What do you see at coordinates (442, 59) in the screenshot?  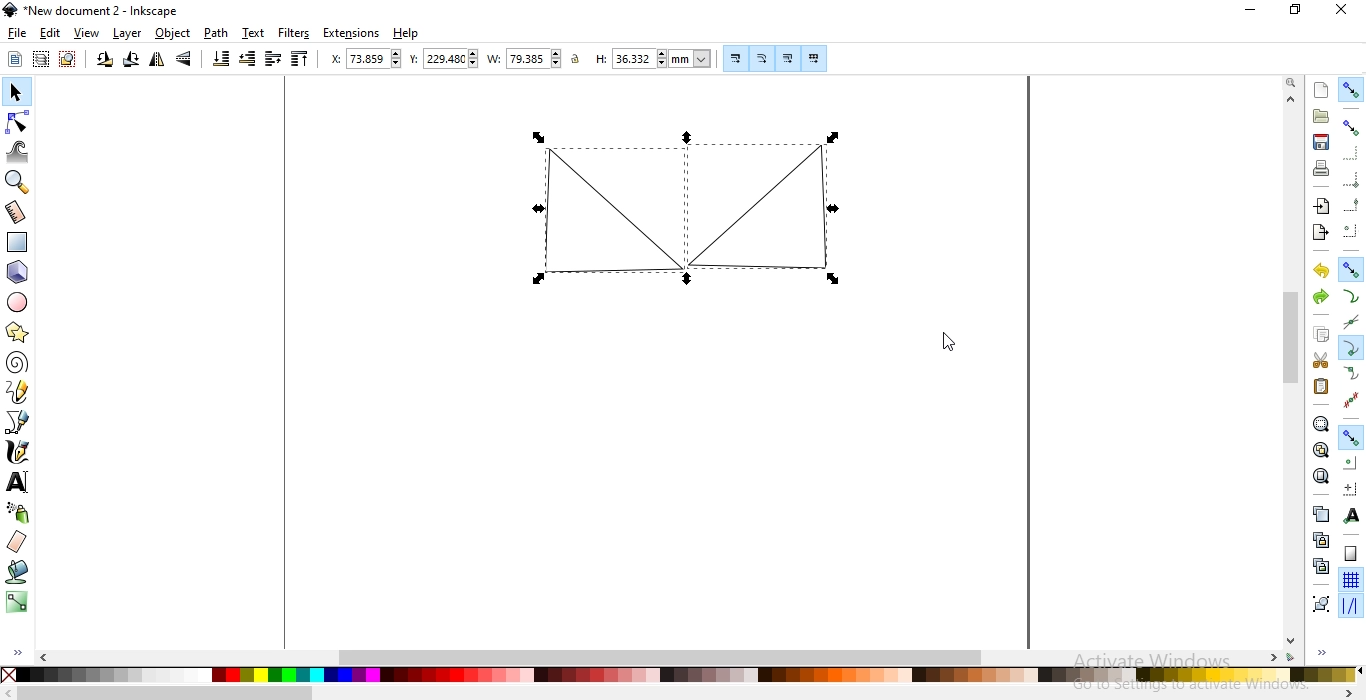 I see `vertical coordinate of selection` at bounding box center [442, 59].